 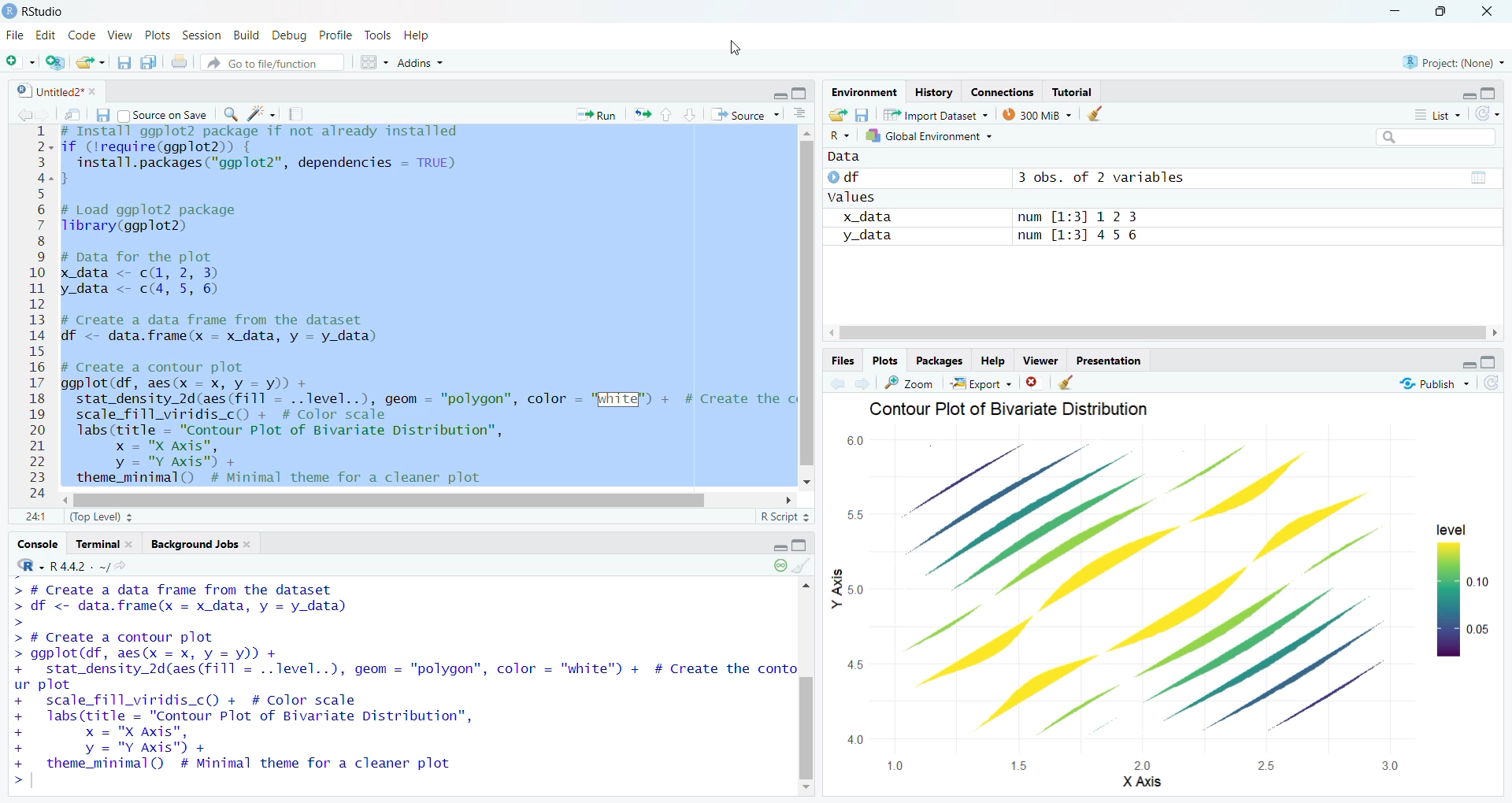 I want to click on Debug, so click(x=290, y=37).